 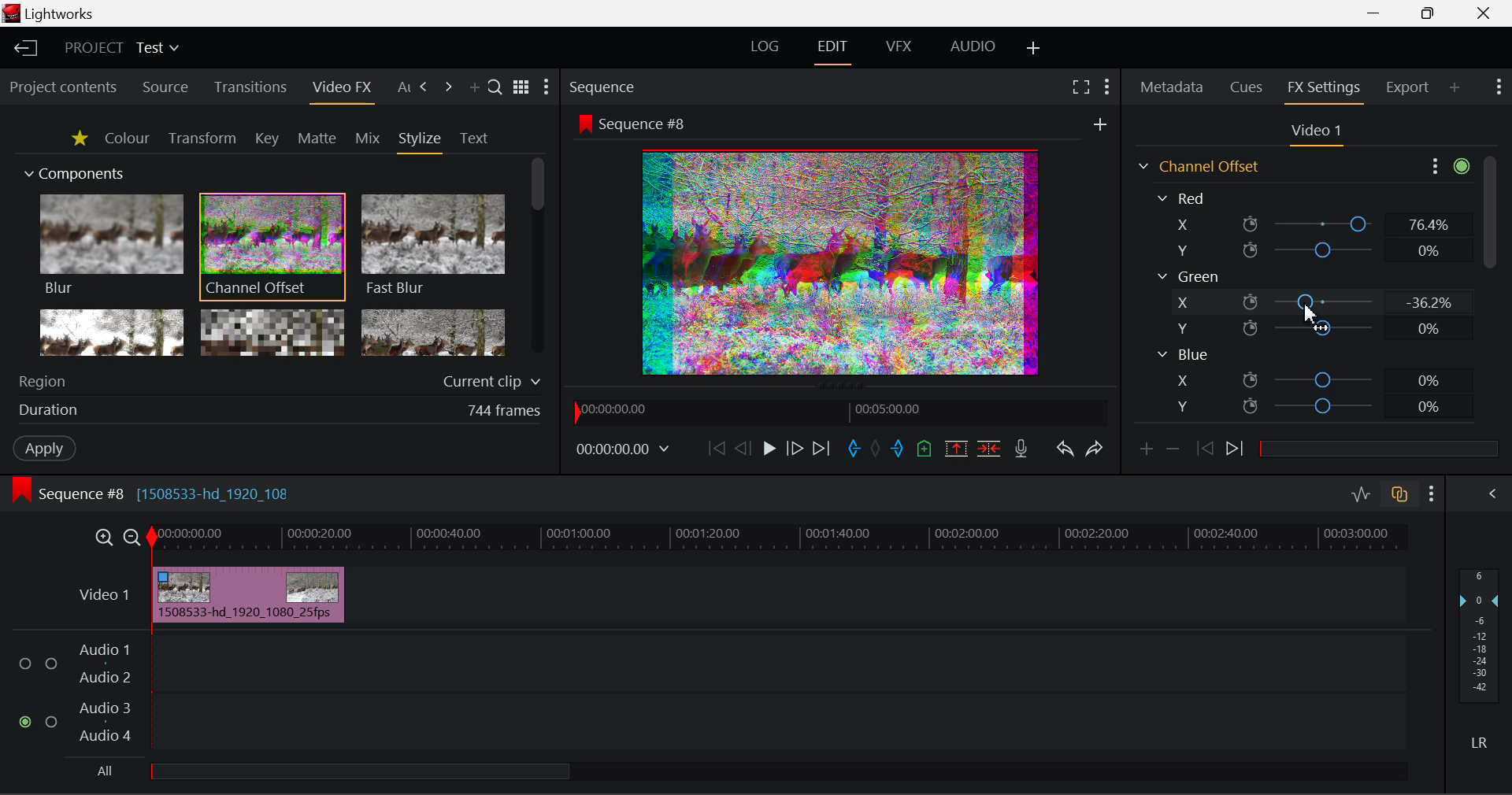 I want to click on Blue Y, so click(x=1313, y=405).